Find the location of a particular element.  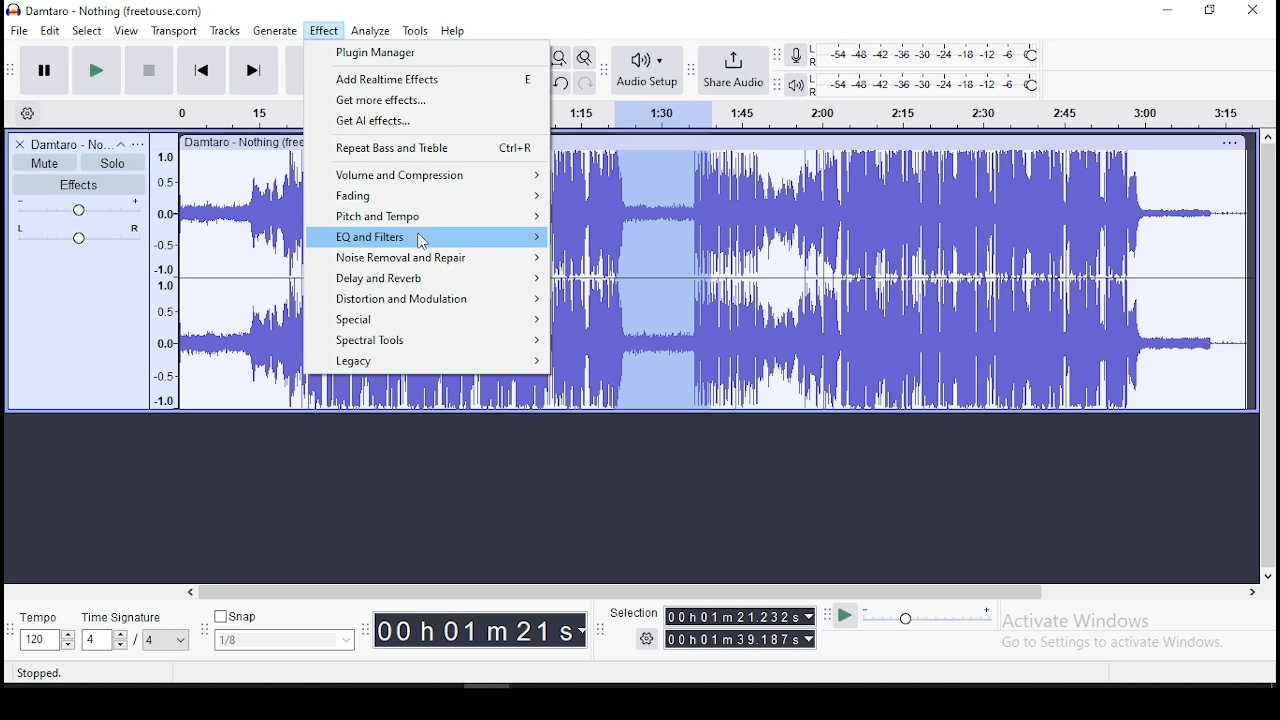

 is located at coordinates (604, 70).